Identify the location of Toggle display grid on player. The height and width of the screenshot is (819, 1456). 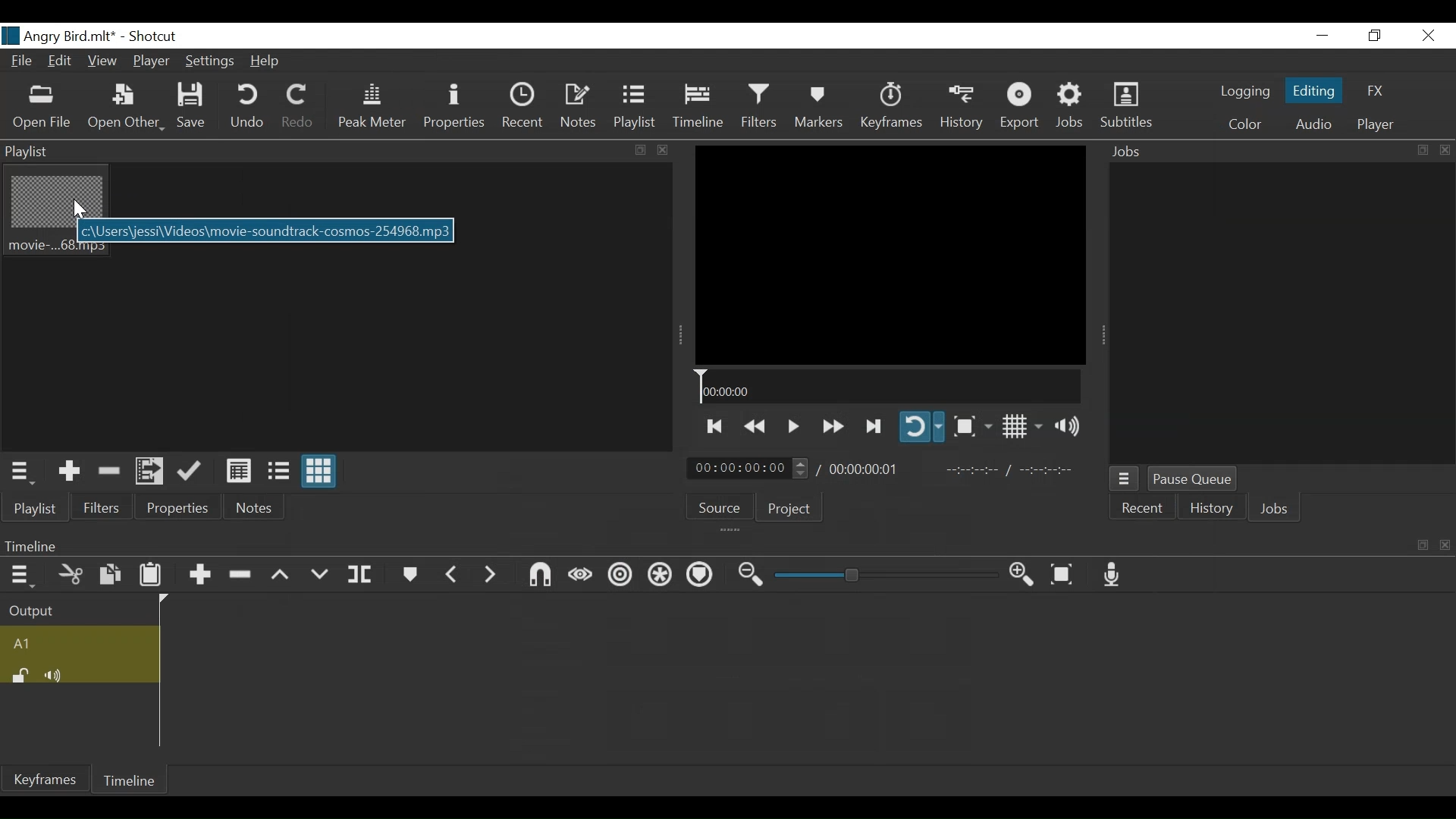
(1021, 428).